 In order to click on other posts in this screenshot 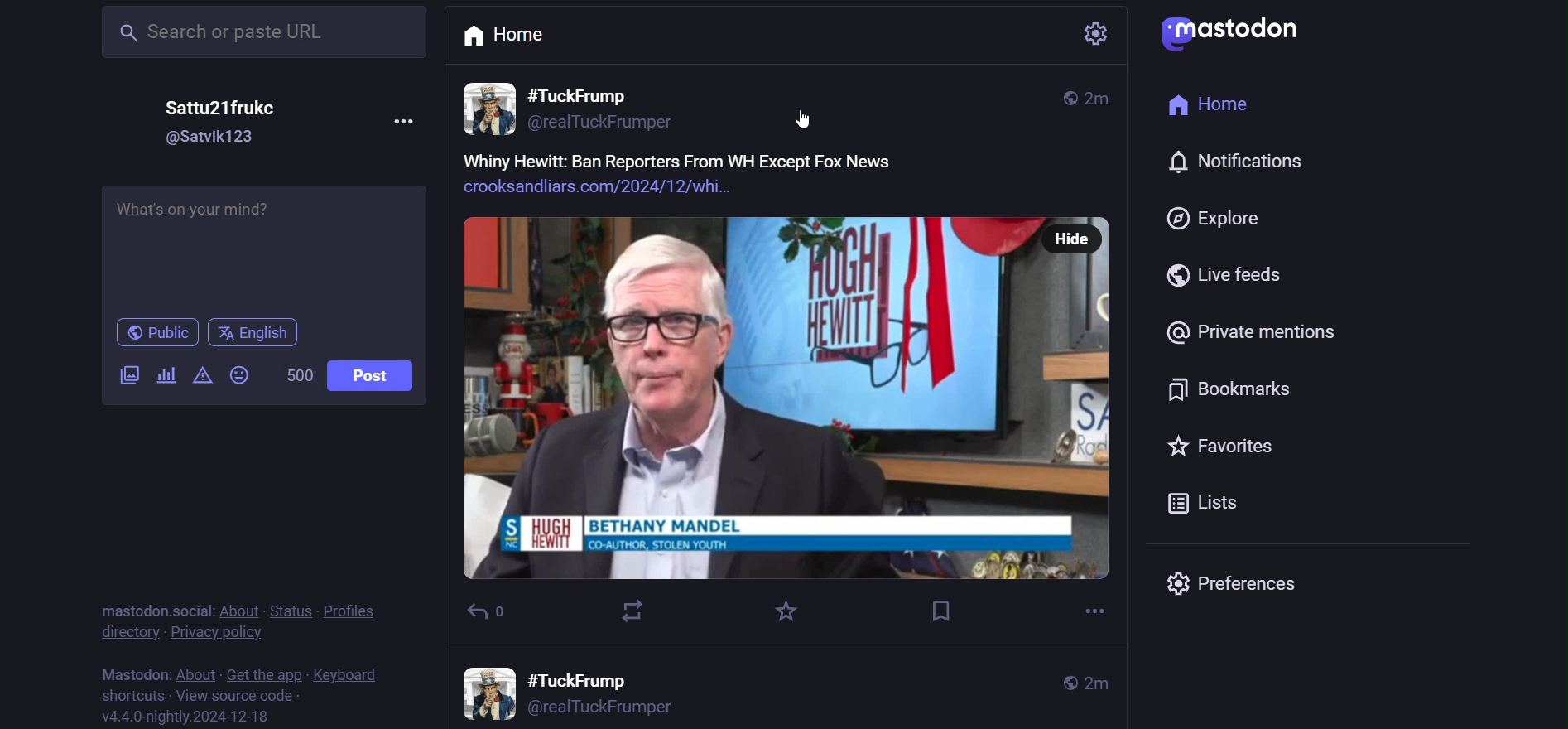, I will do `click(788, 684)`.